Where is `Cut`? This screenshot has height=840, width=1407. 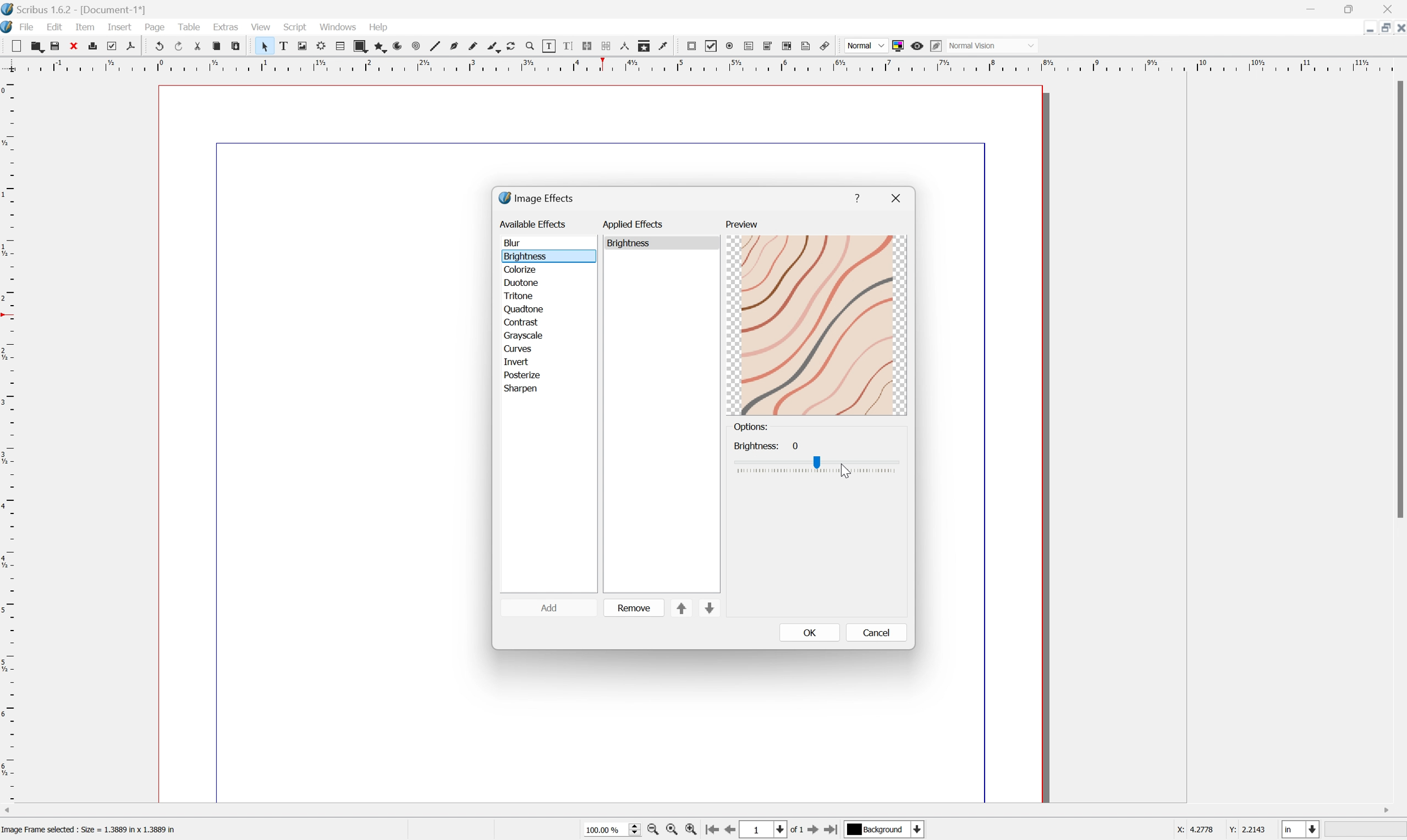
Cut is located at coordinates (197, 45).